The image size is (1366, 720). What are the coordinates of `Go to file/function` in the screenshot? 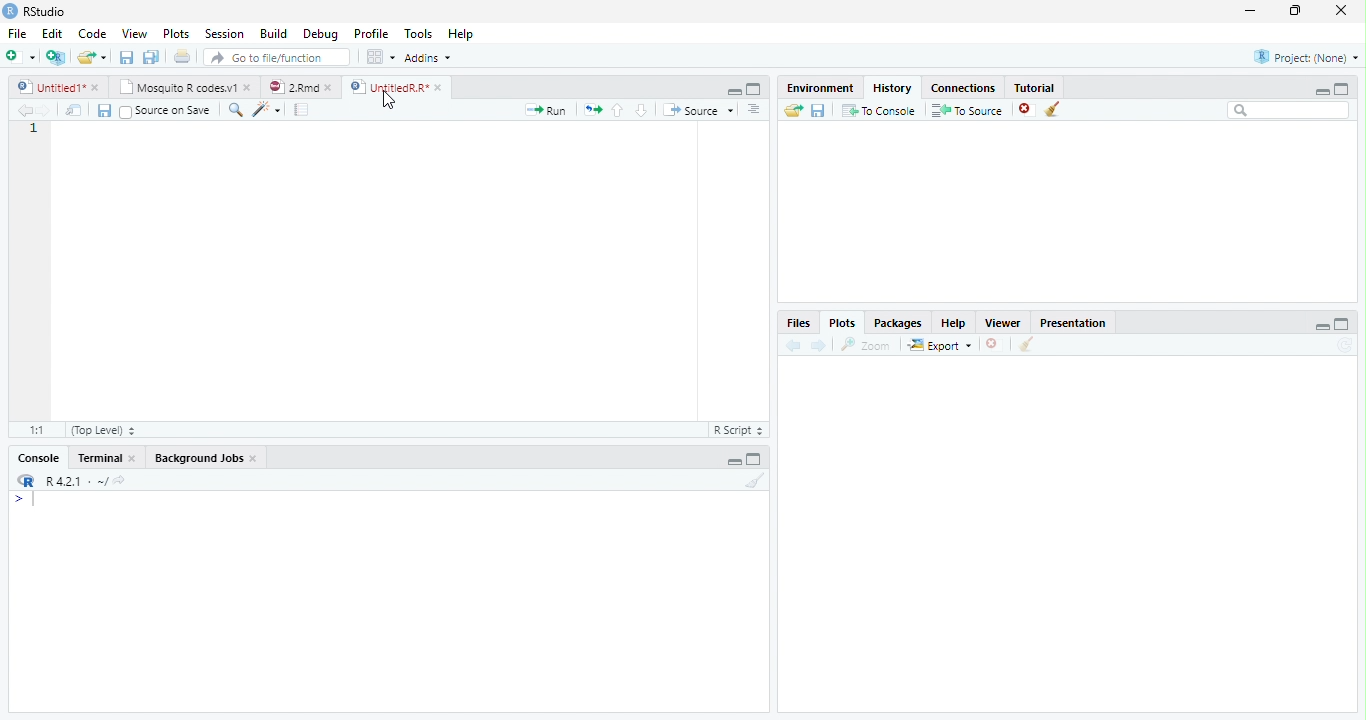 It's located at (279, 58).